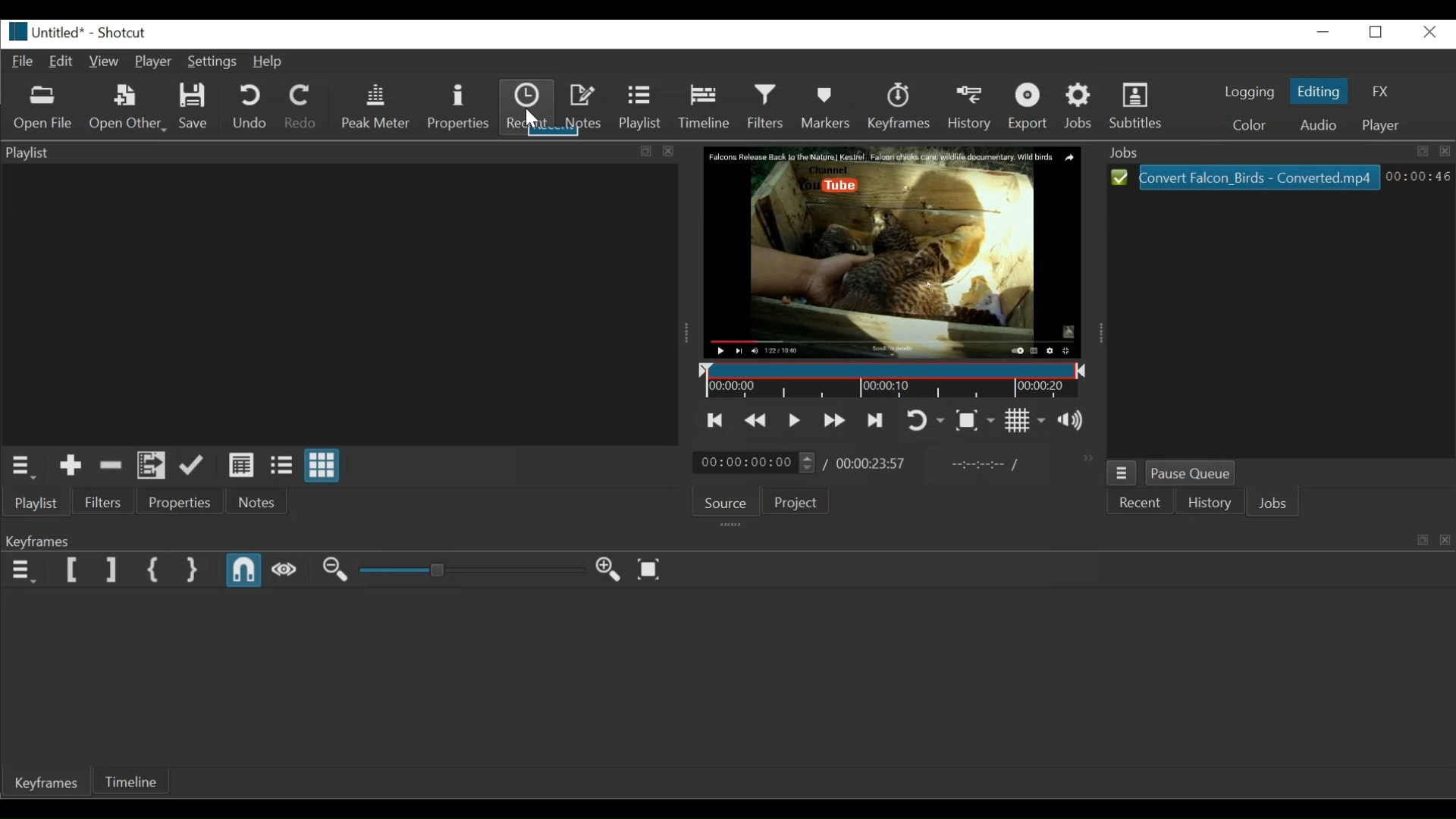 This screenshot has height=819, width=1456. I want to click on Media Viewer, so click(890, 253).